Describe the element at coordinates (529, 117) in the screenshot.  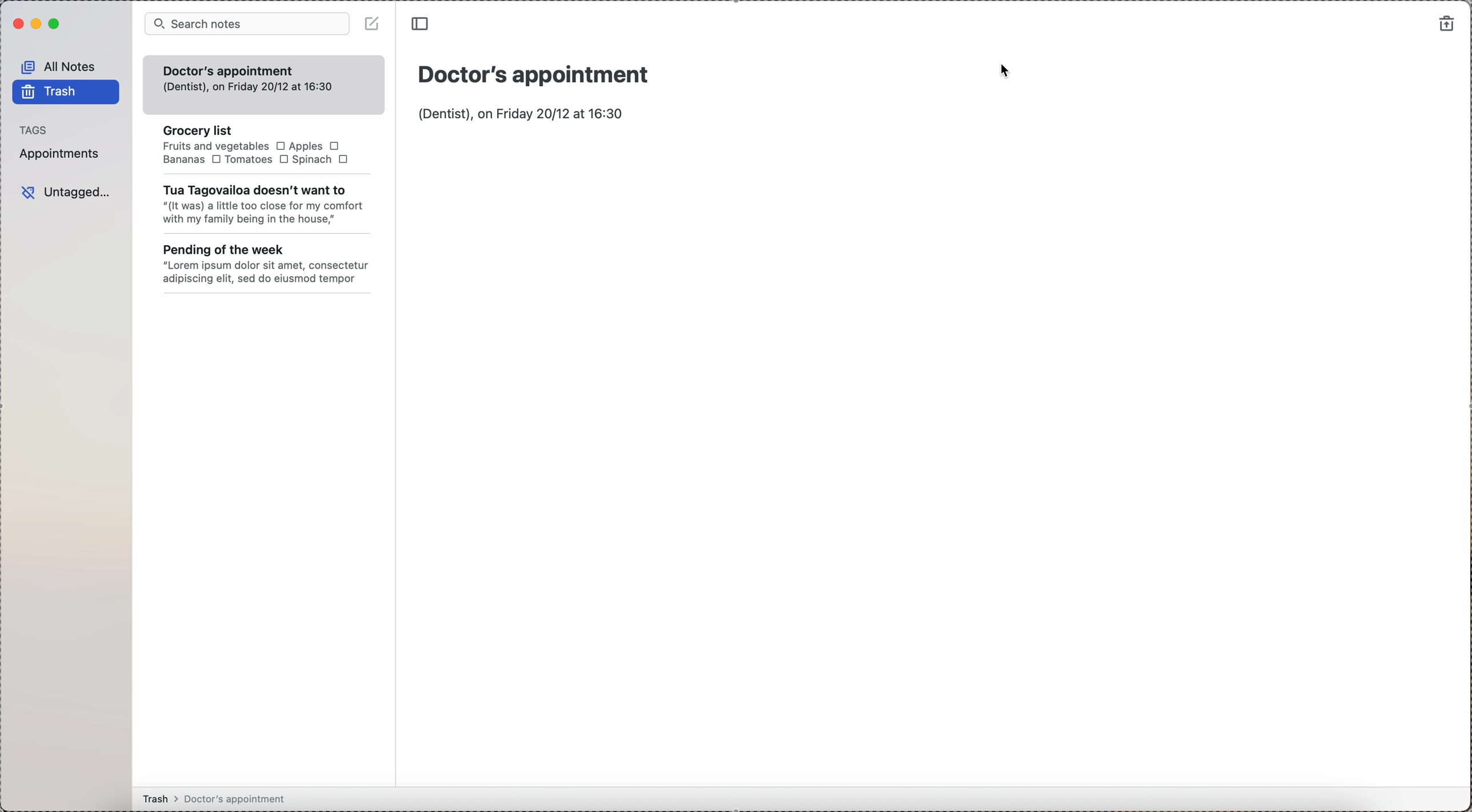
I see `body text: (Dentist) on Friday 20/12 at 16:30` at that location.